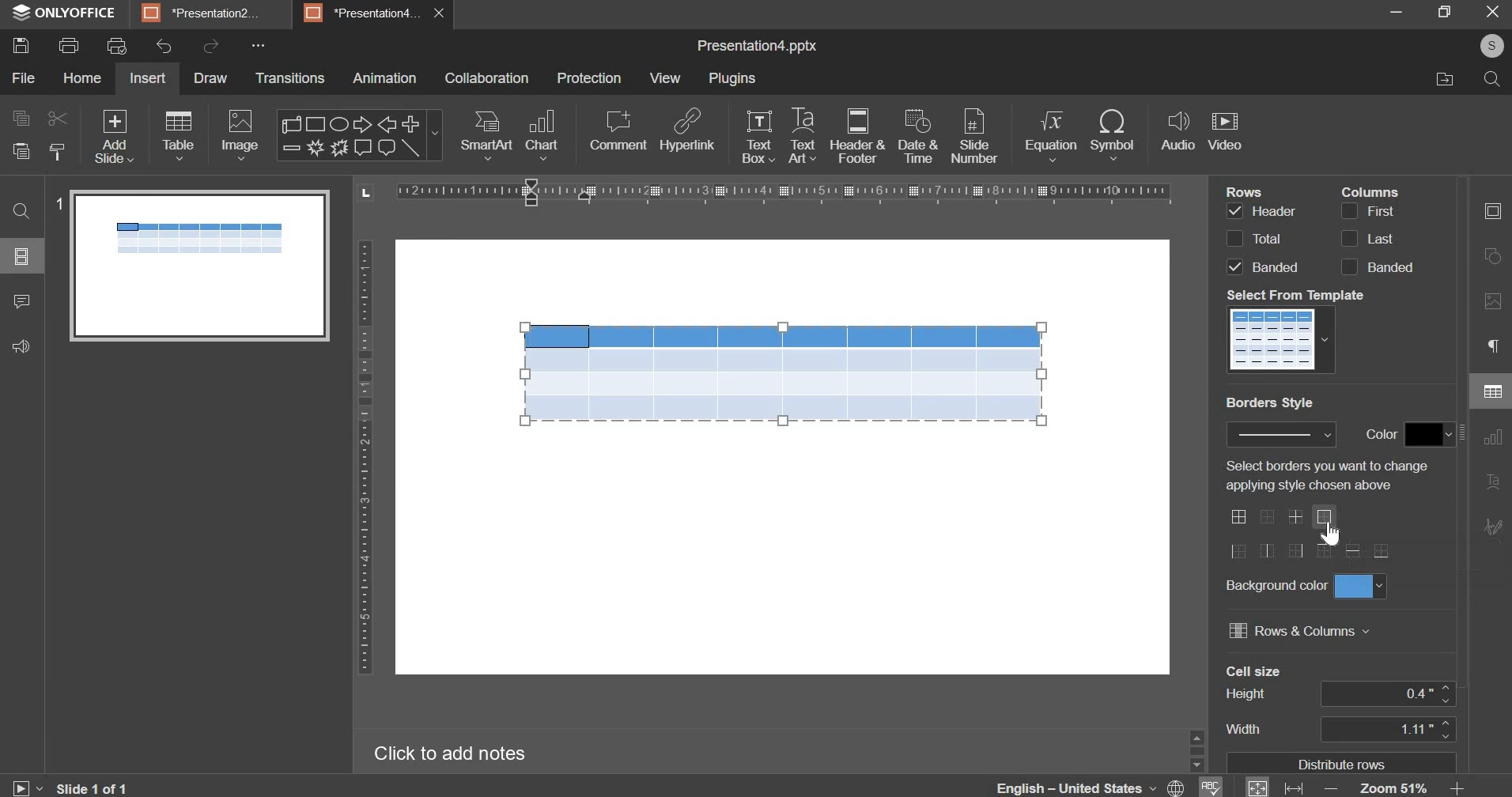 The image size is (1512, 797). What do you see at coordinates (1493, 346) in the screenshot?
I see `paragraph settings` at bounding box center [1493, 346].